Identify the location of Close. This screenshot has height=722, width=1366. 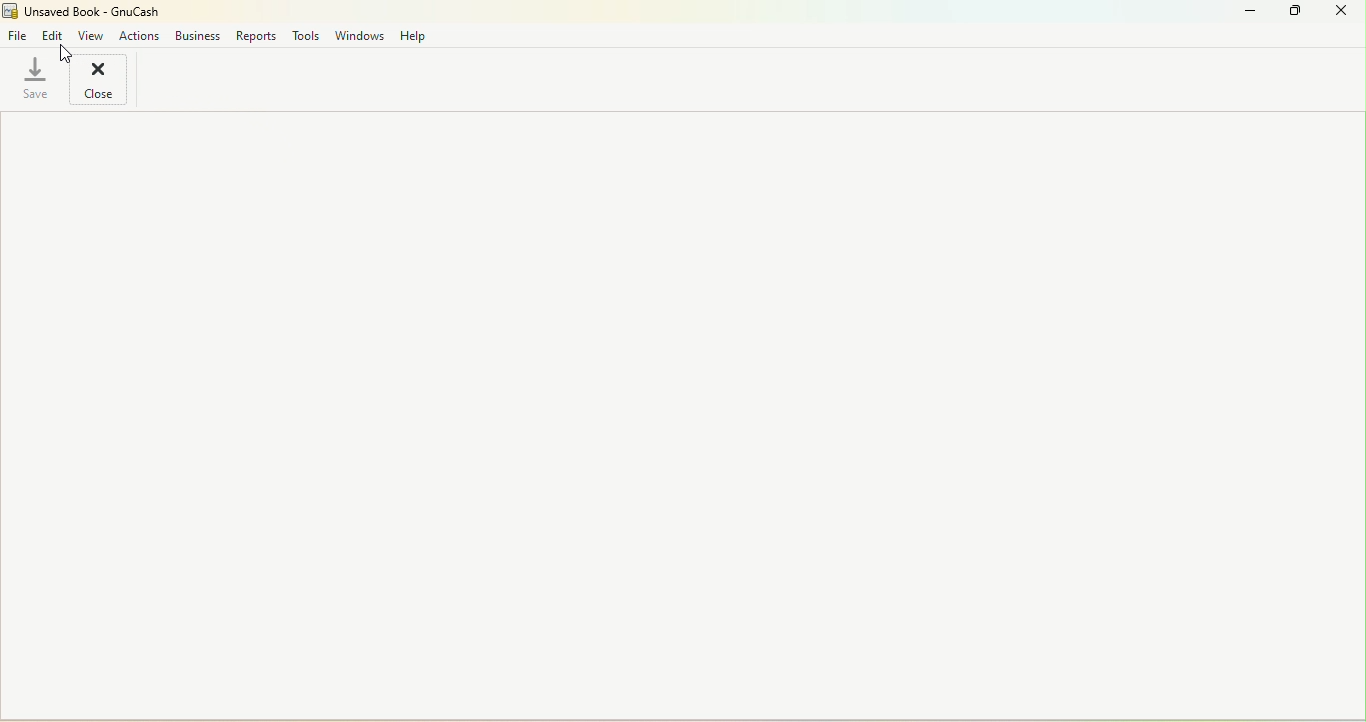
(100, 80).